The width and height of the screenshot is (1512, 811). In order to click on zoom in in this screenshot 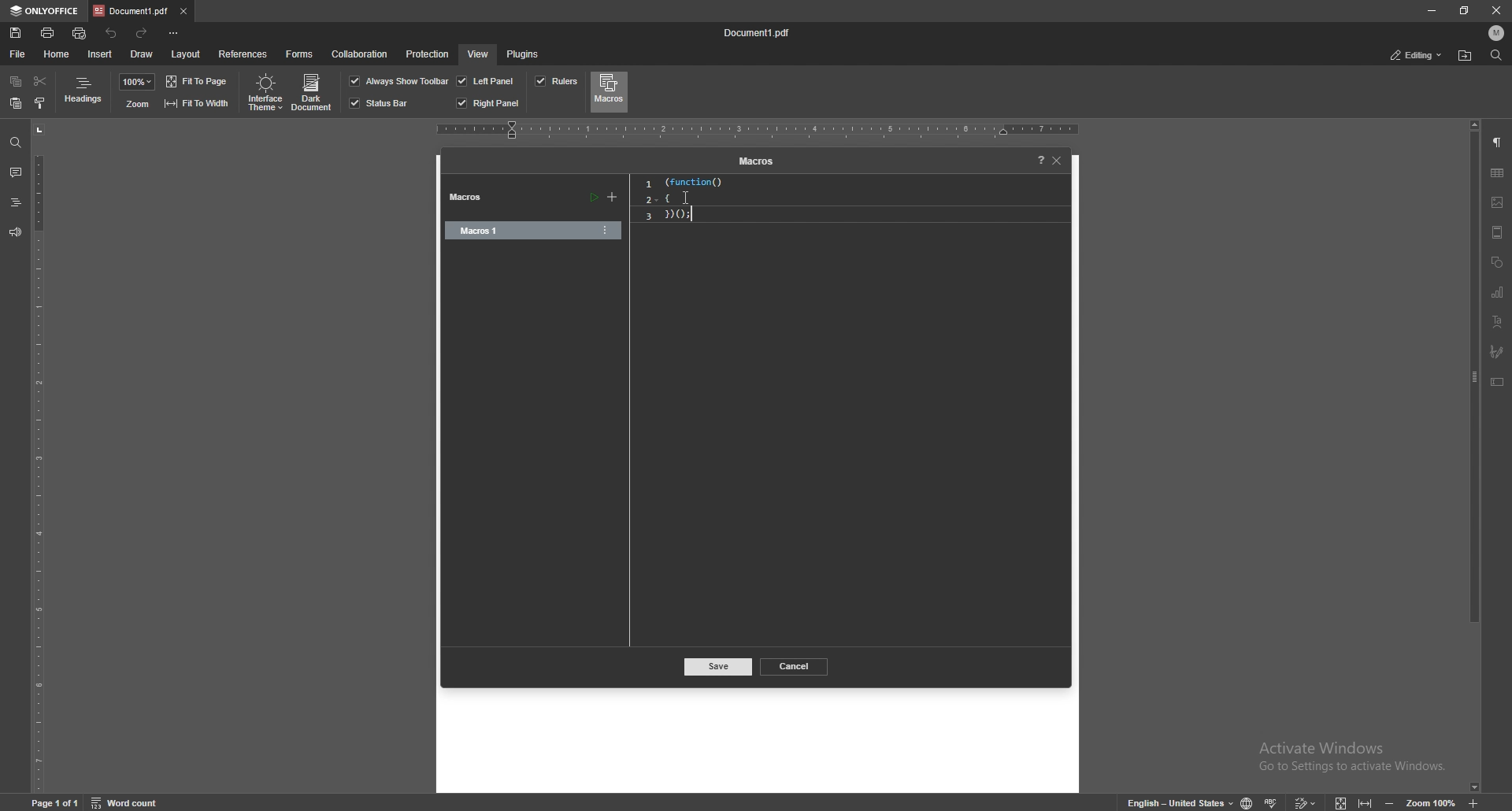, I will do `click(1475, 804)`.